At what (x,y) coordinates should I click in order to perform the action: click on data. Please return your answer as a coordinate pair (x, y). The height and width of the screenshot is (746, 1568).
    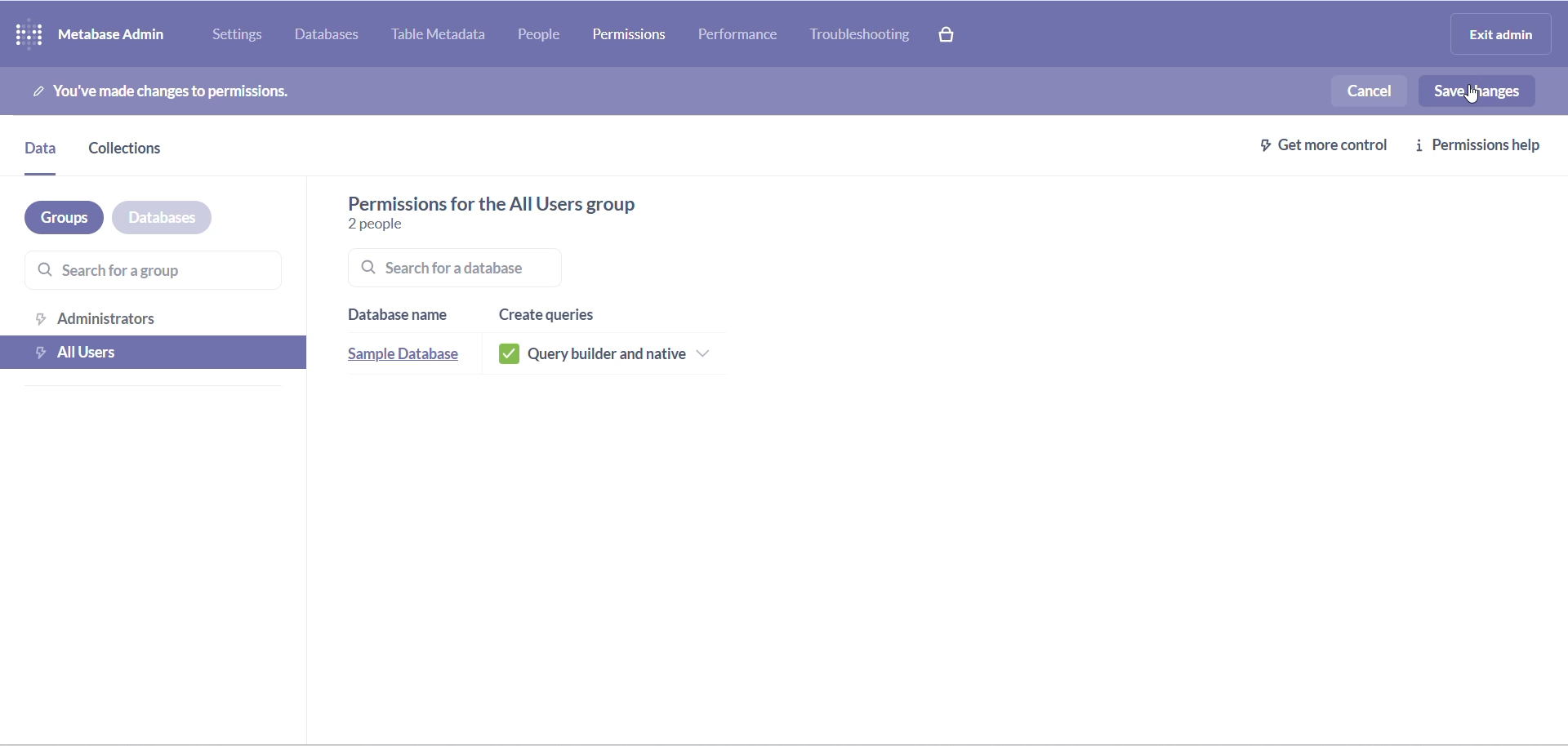
    Looking at the image, I should click on (42, 152).